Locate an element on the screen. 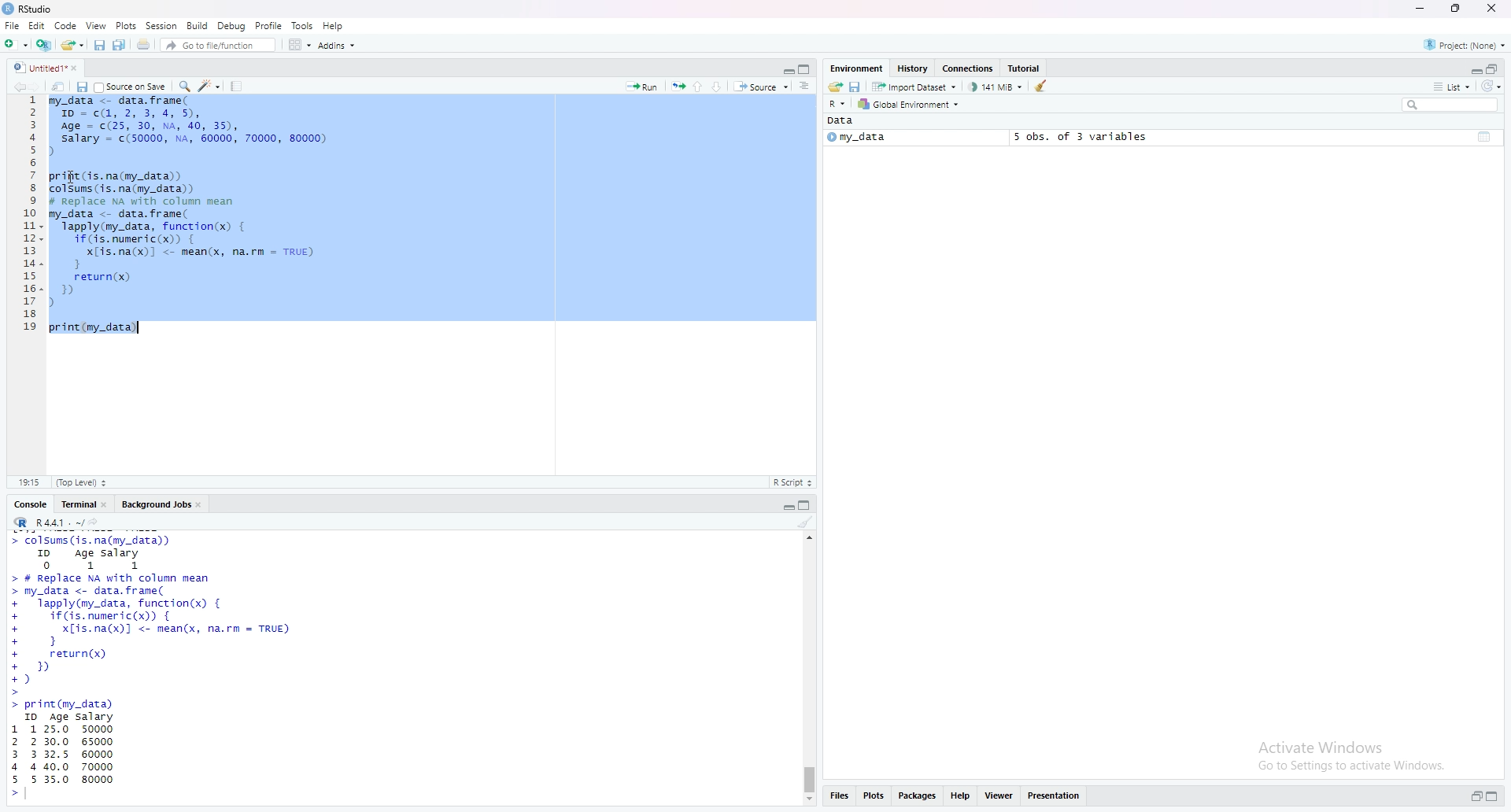 This screenshot has width=1511, height=812. Terminal is located at coordinates (86, 504).